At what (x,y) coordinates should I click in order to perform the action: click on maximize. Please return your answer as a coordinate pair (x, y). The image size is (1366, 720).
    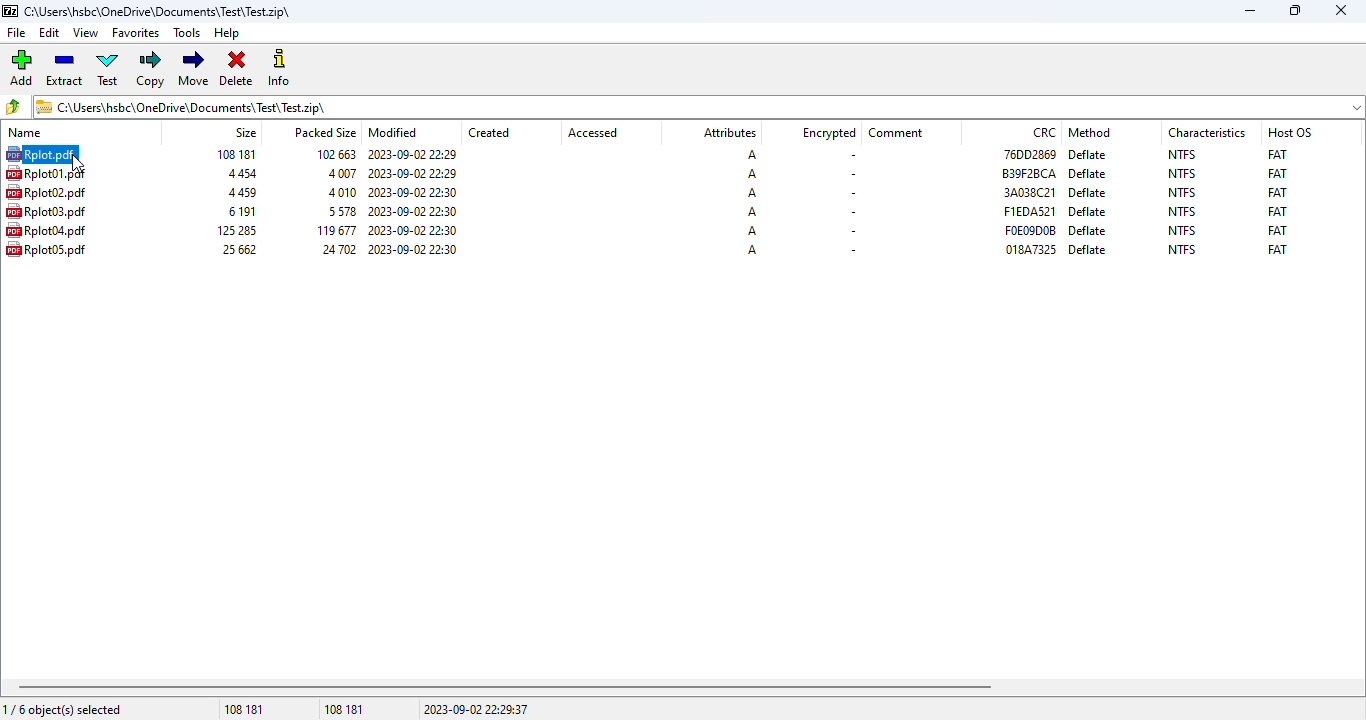
    Looking at the image, I should click on (1295, 11).